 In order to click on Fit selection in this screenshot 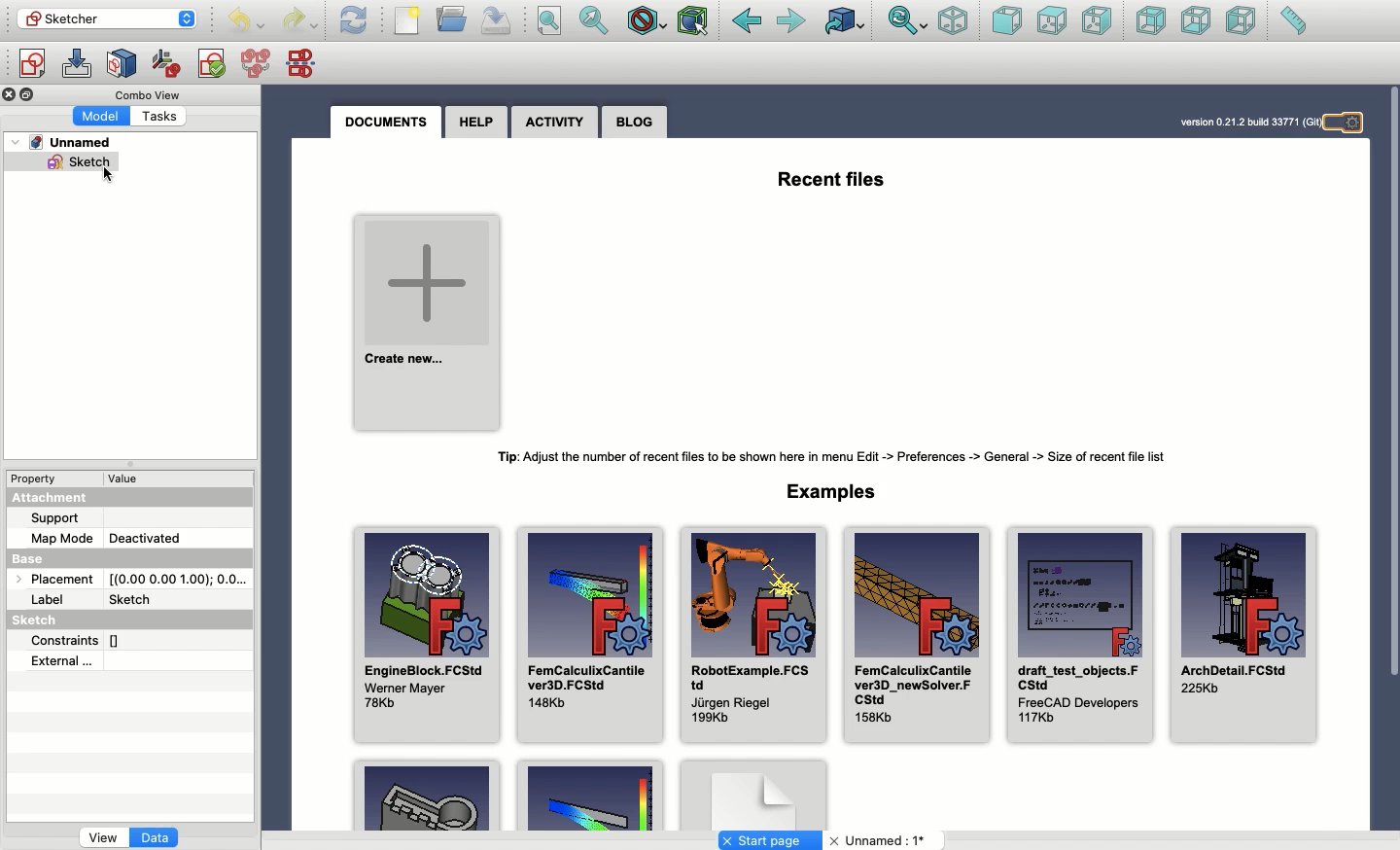, I will do `click(595, 20)`.